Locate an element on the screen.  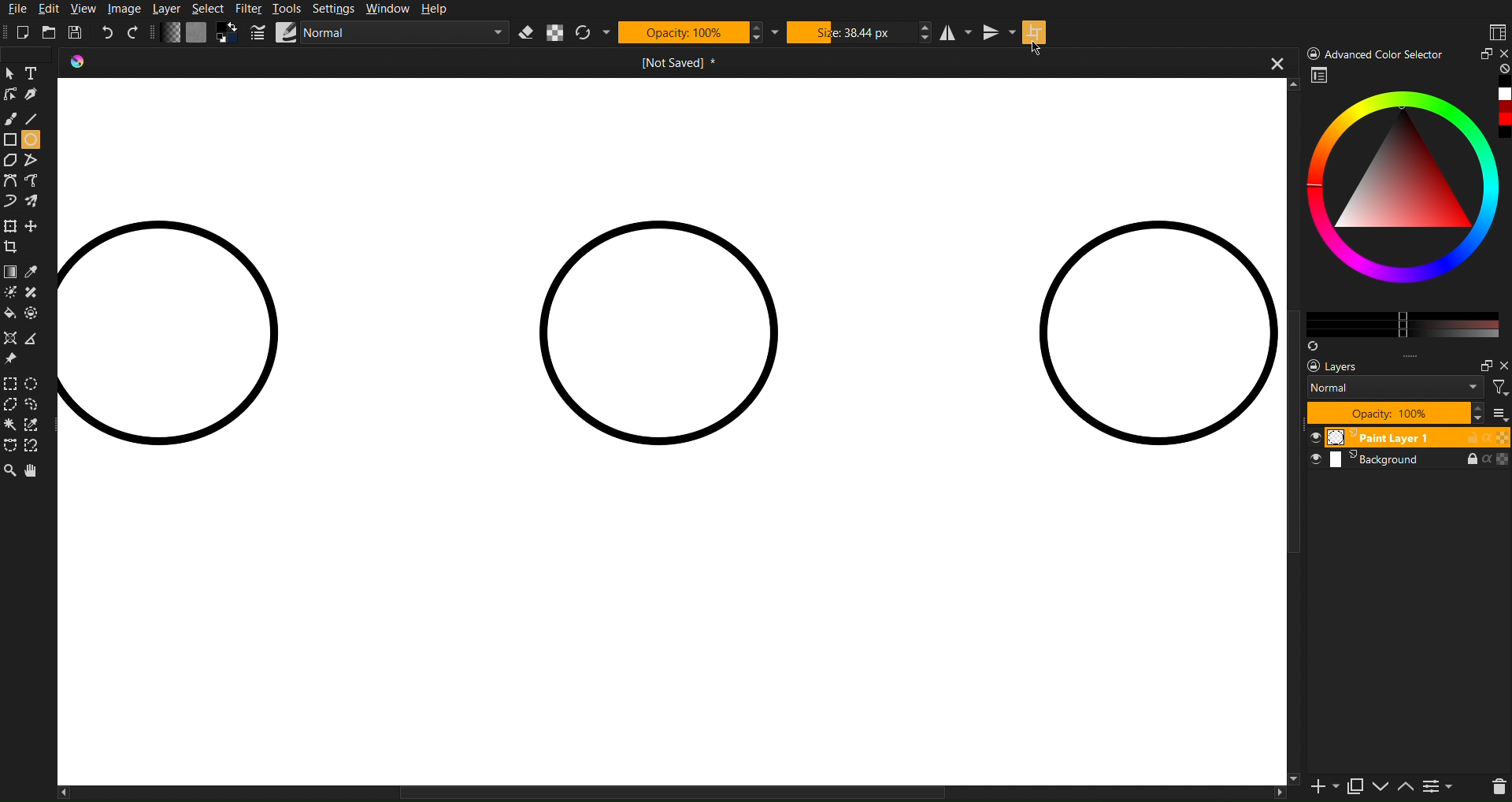
Minimize is located at coordinates (1479, 53).